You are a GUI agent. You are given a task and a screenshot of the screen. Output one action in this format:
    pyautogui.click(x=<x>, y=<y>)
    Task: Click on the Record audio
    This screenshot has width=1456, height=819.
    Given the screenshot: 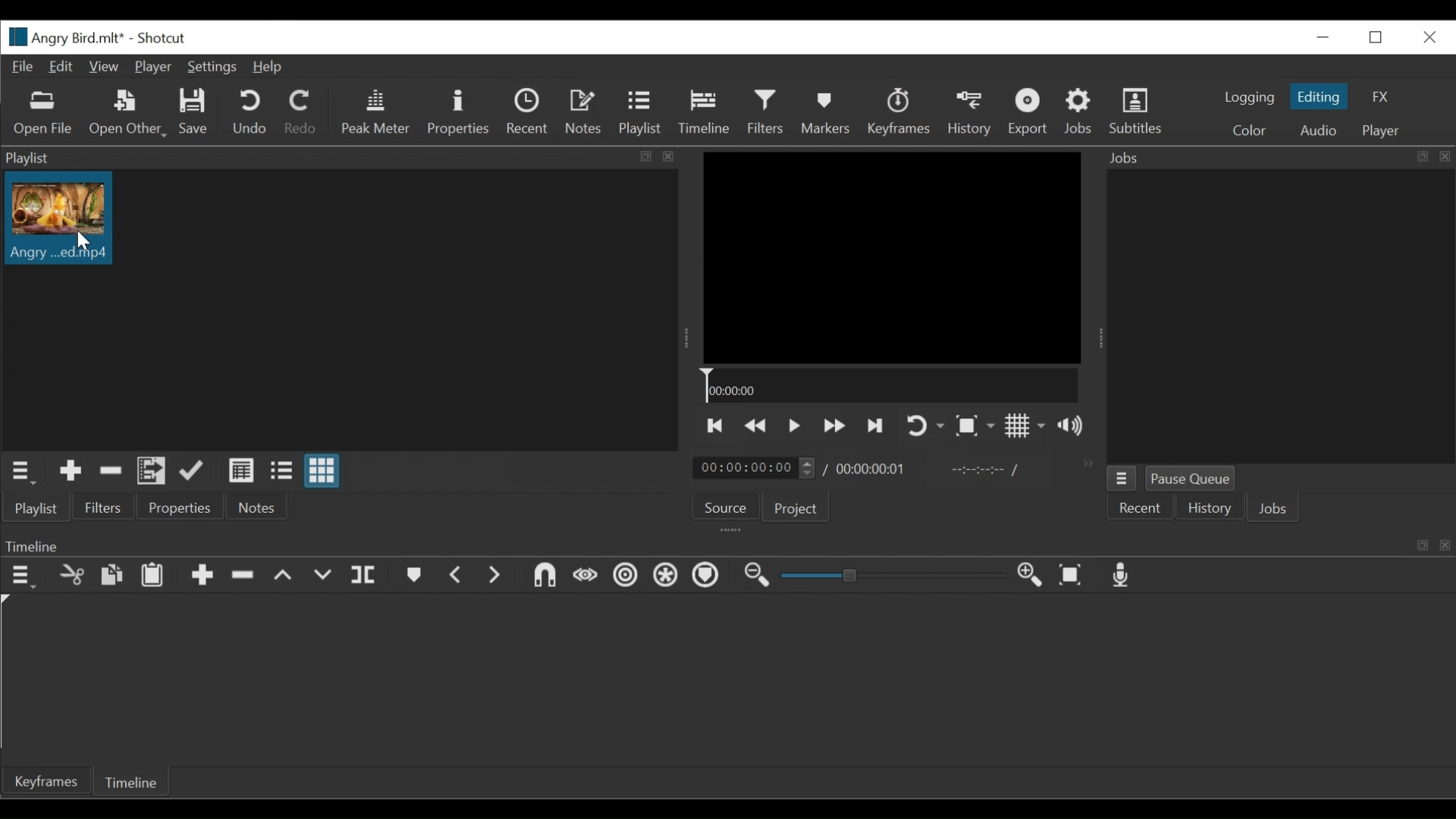 What is the action you would take?
    pyautogui.click(x=1127, y=576)
    